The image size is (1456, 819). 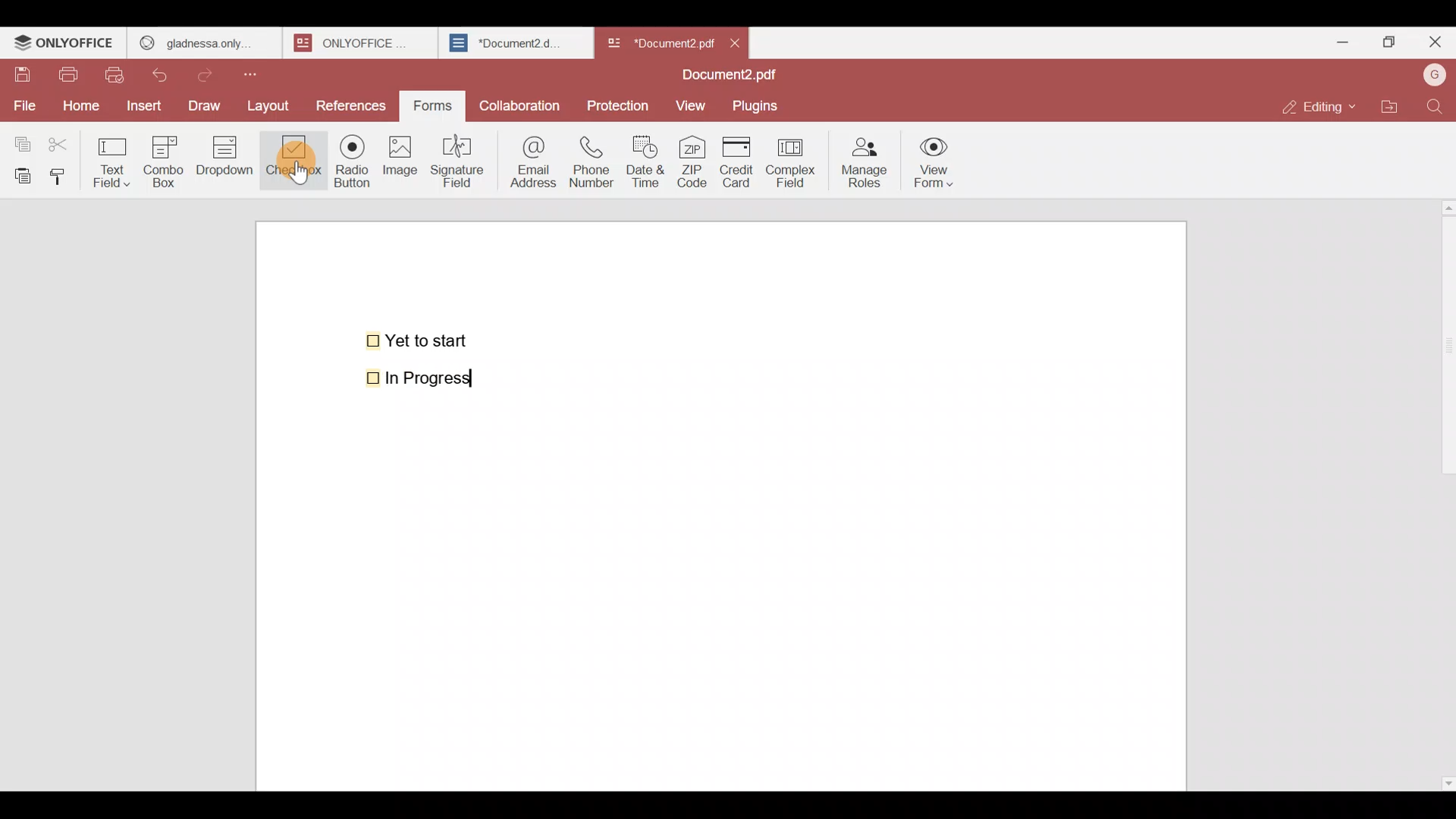 What do you see at coordinates (64, 45) in the screenshot?
I see `ONLYOFFICE` at bounding box center [64, 45].